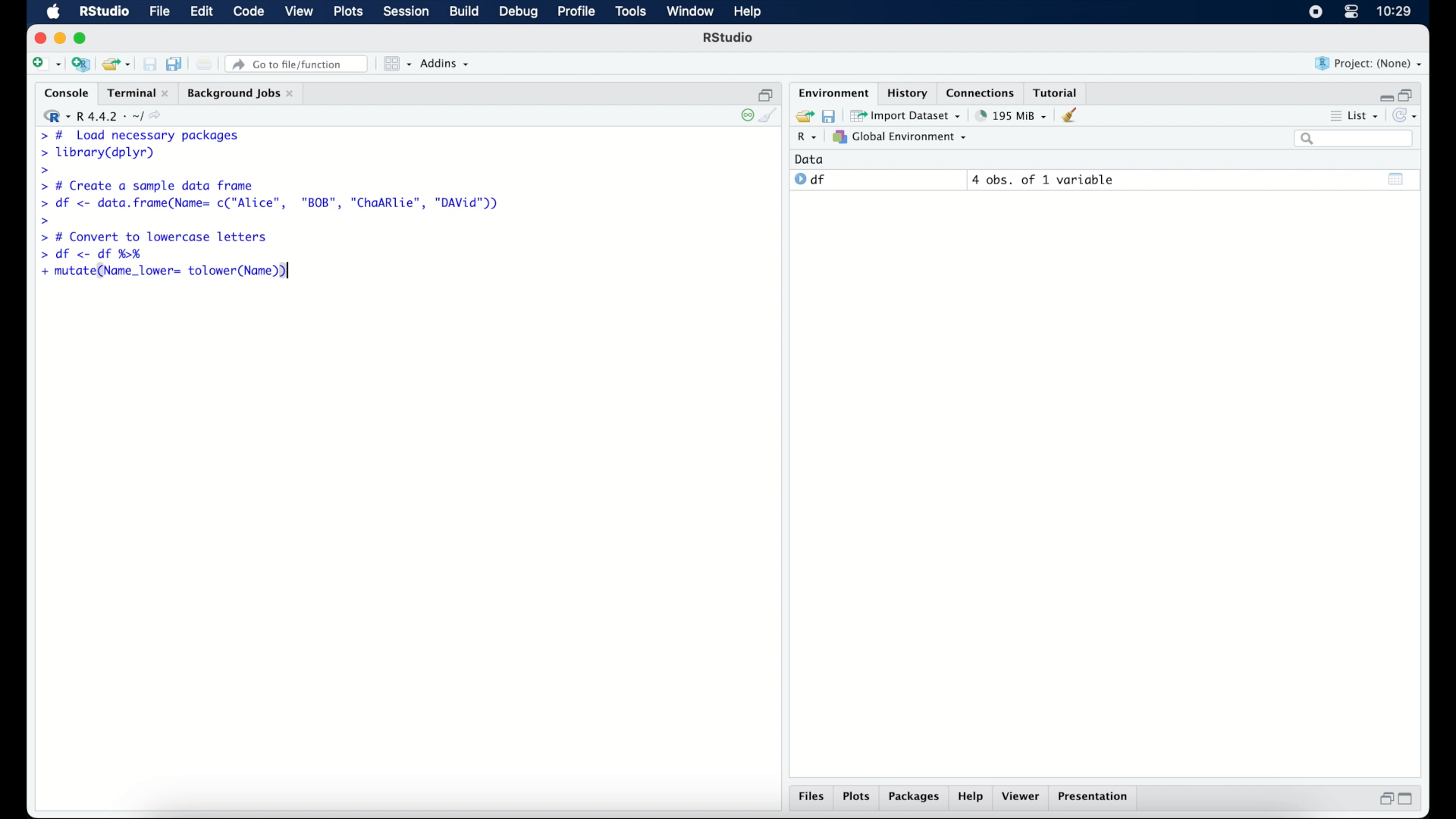 This screenshot has height=819, width=1456. What do you see at coordinates (300, 13) in the screenshot?
I see `view` at bounding box center [300, 13].